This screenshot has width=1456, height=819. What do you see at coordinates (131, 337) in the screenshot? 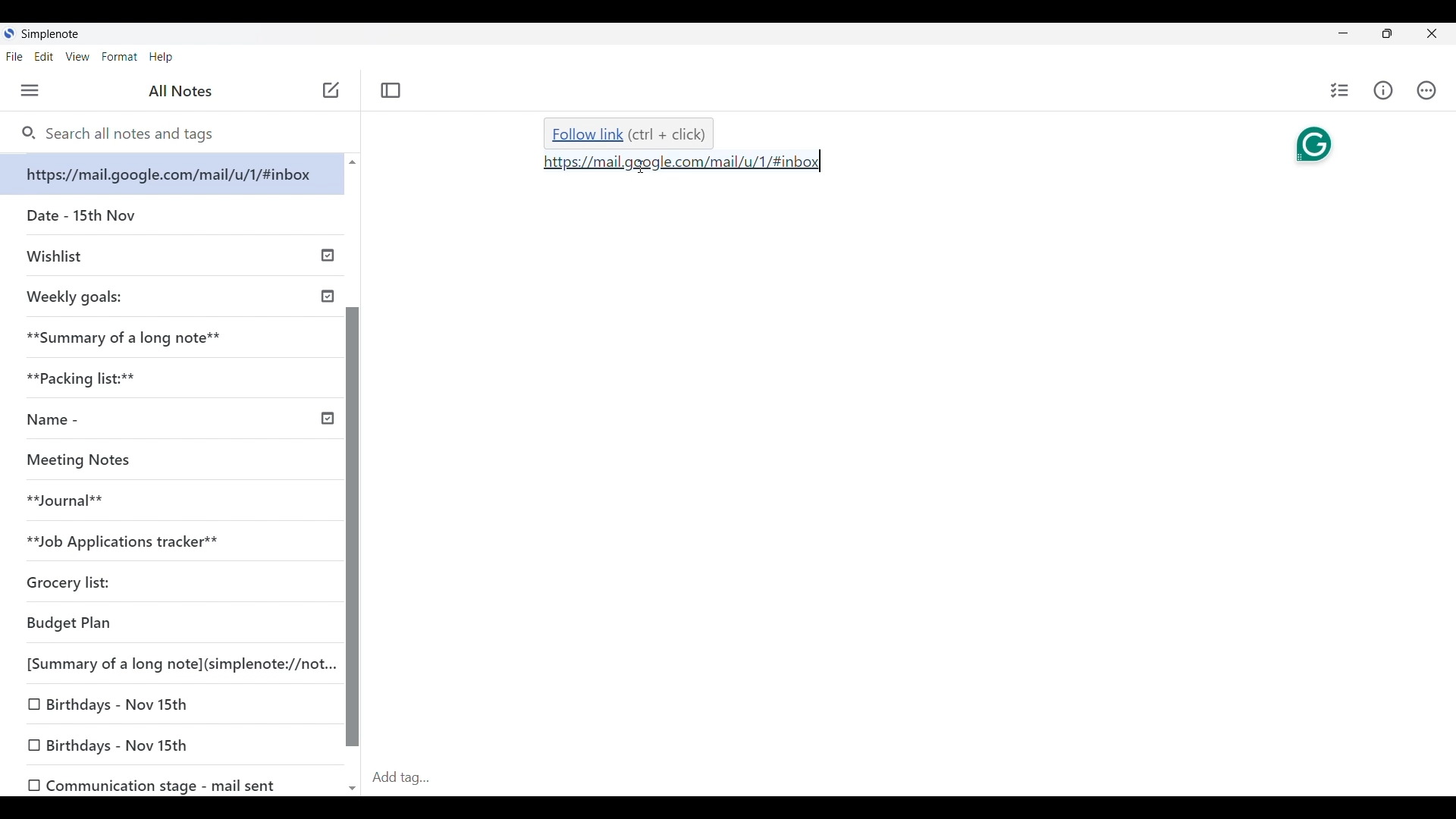
I see `**Summary of a long note**` at bounding box center [131, 337].